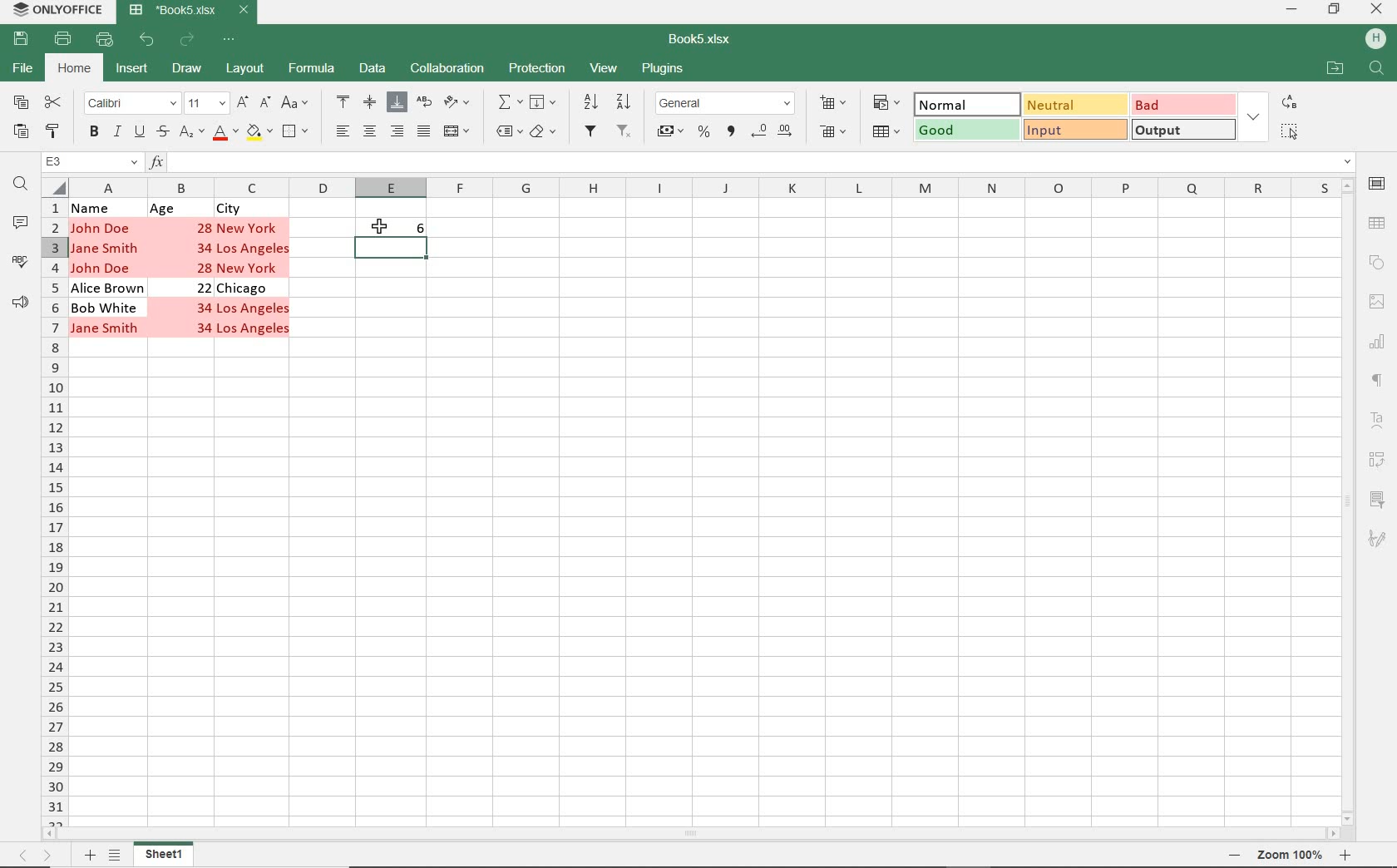 Image resolution: width=1397 pixels, height=868 pixels. What do you see at coordinates (19, 104) in the screenshot?
I see `COPY` at bounding box center [19, 104].